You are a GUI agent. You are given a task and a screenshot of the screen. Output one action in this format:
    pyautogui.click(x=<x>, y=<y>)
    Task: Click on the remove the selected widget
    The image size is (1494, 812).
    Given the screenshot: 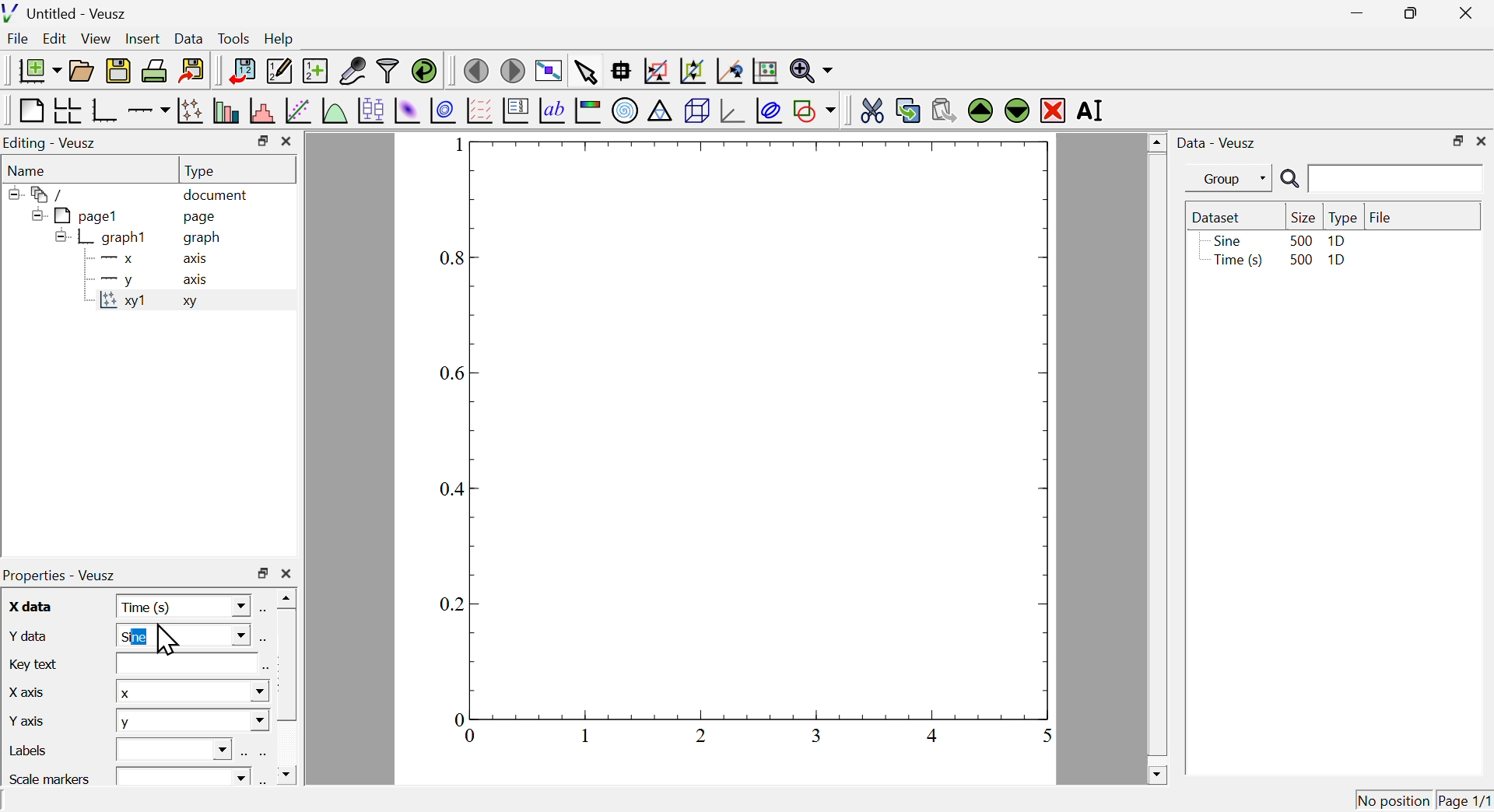 What is the action you would take?
    pyautogui.click(x=1053, y=110)
    